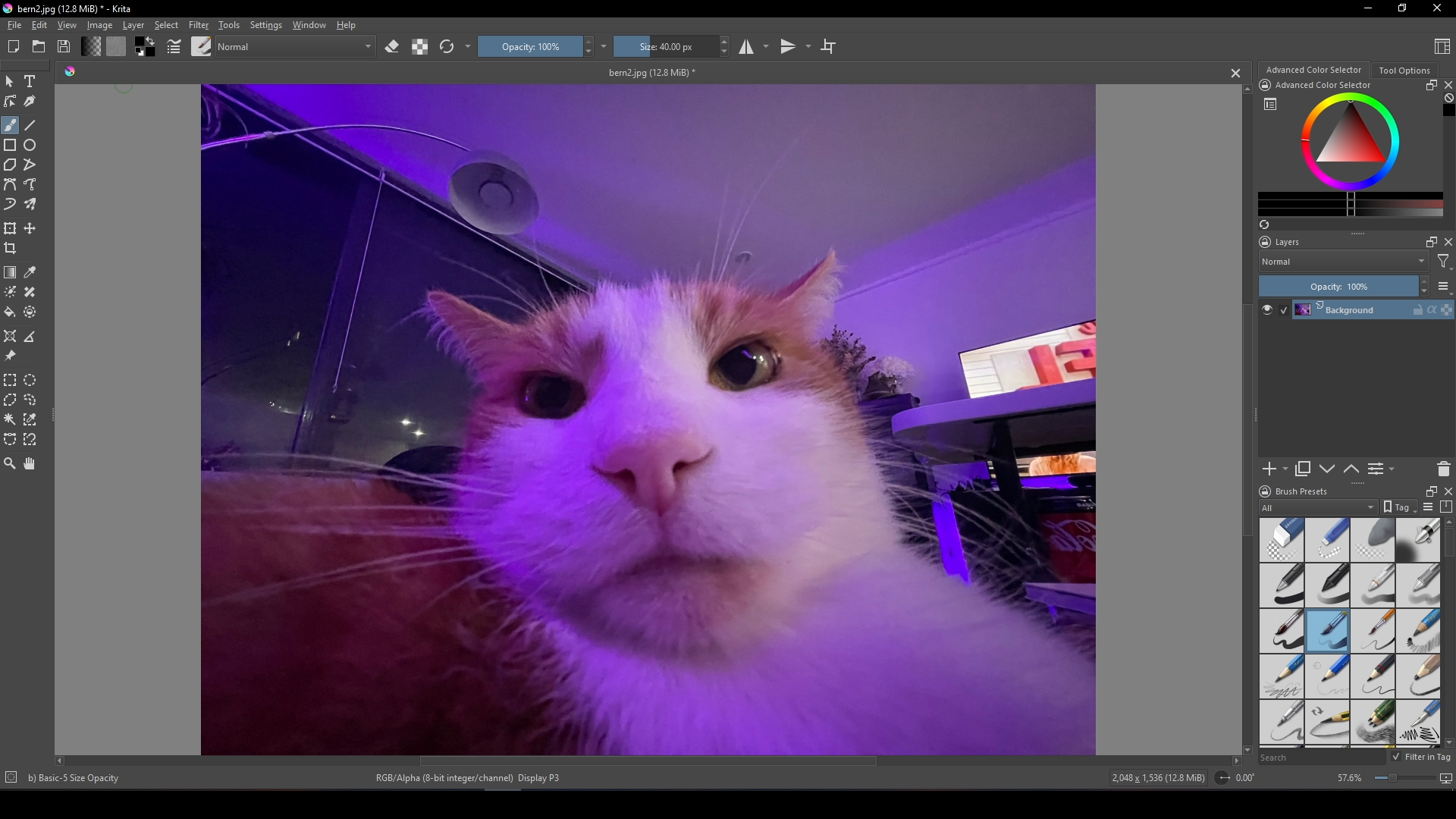 This screenshot has height=819, width=1456. I want to click on Polyline tool, so click(29, 164).